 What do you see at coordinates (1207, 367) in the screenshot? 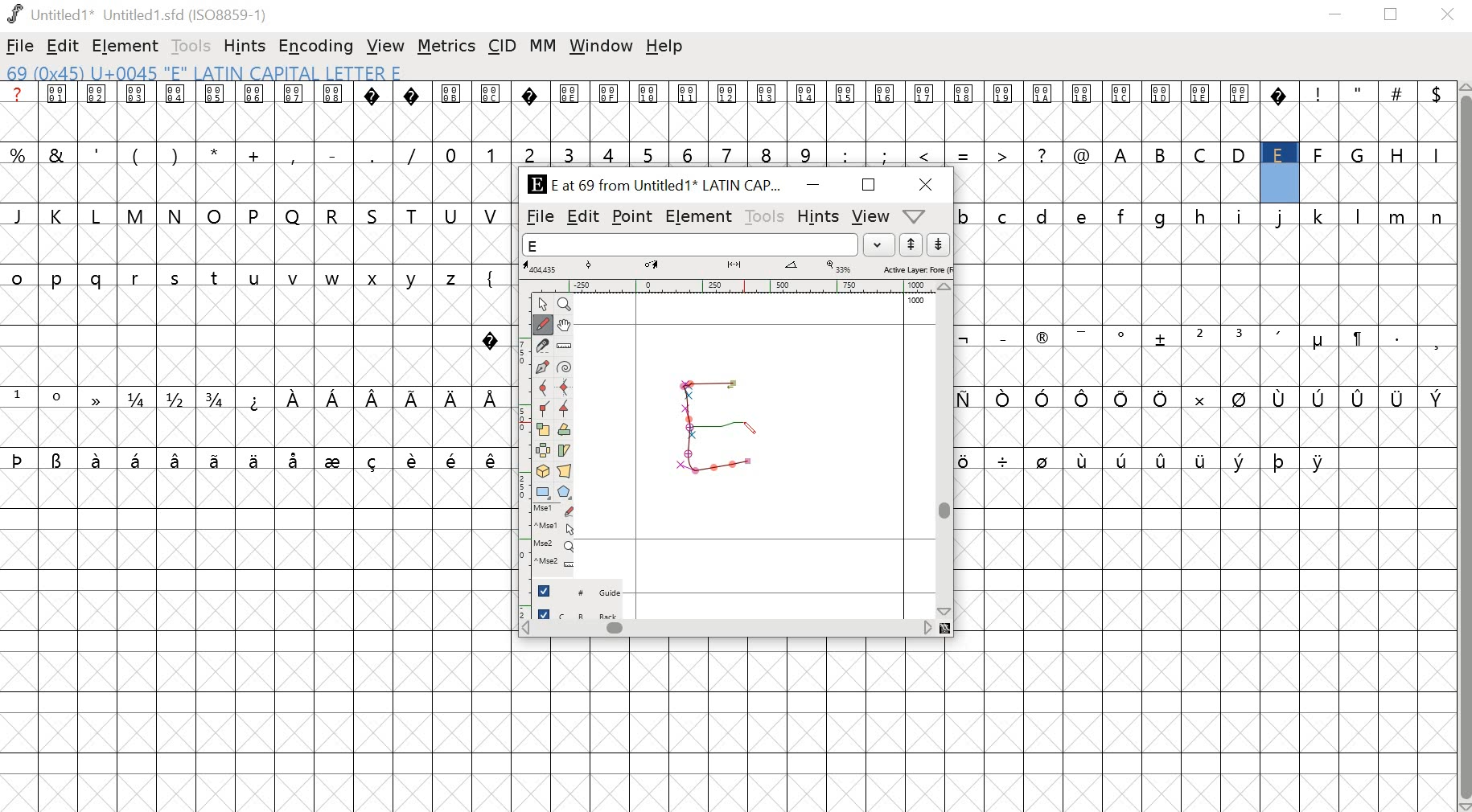
I see `empty cells` at bounding box center [1207, 367].